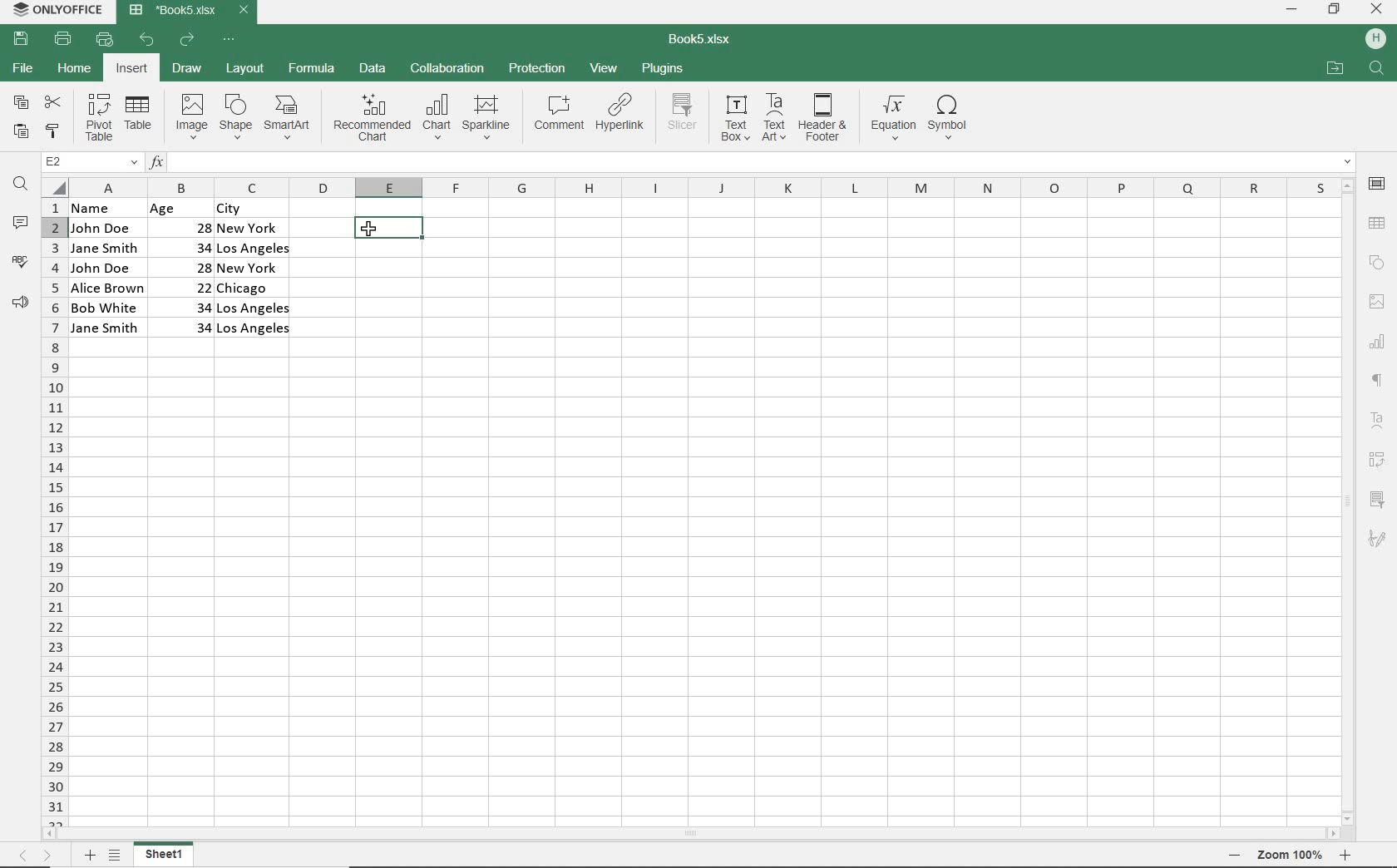  Describe the element at coordinates (1380, 218) in the screenshot. I see `TABLE` at that location.